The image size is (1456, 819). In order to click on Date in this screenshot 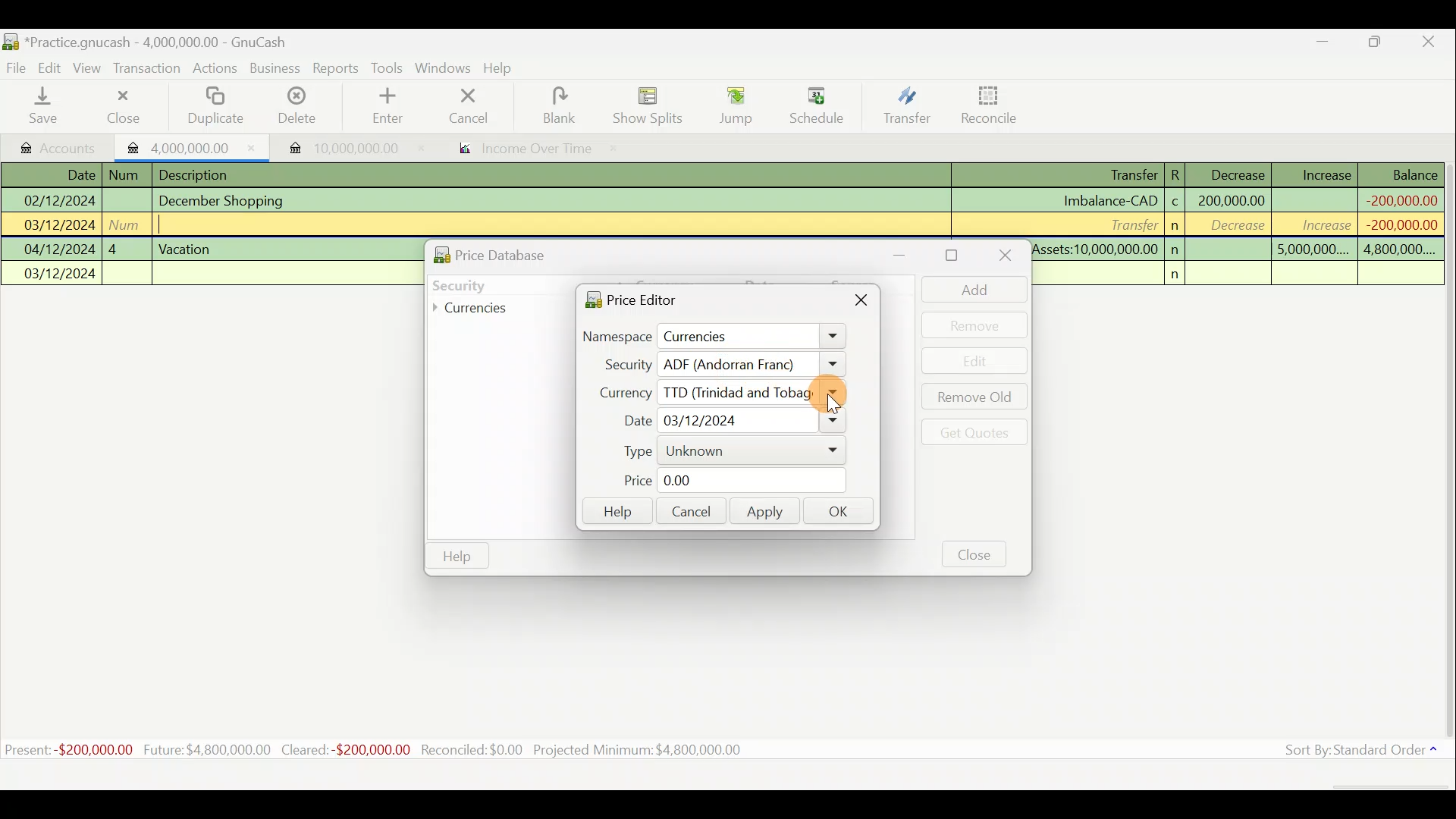, I will do `click(727, 421)`.